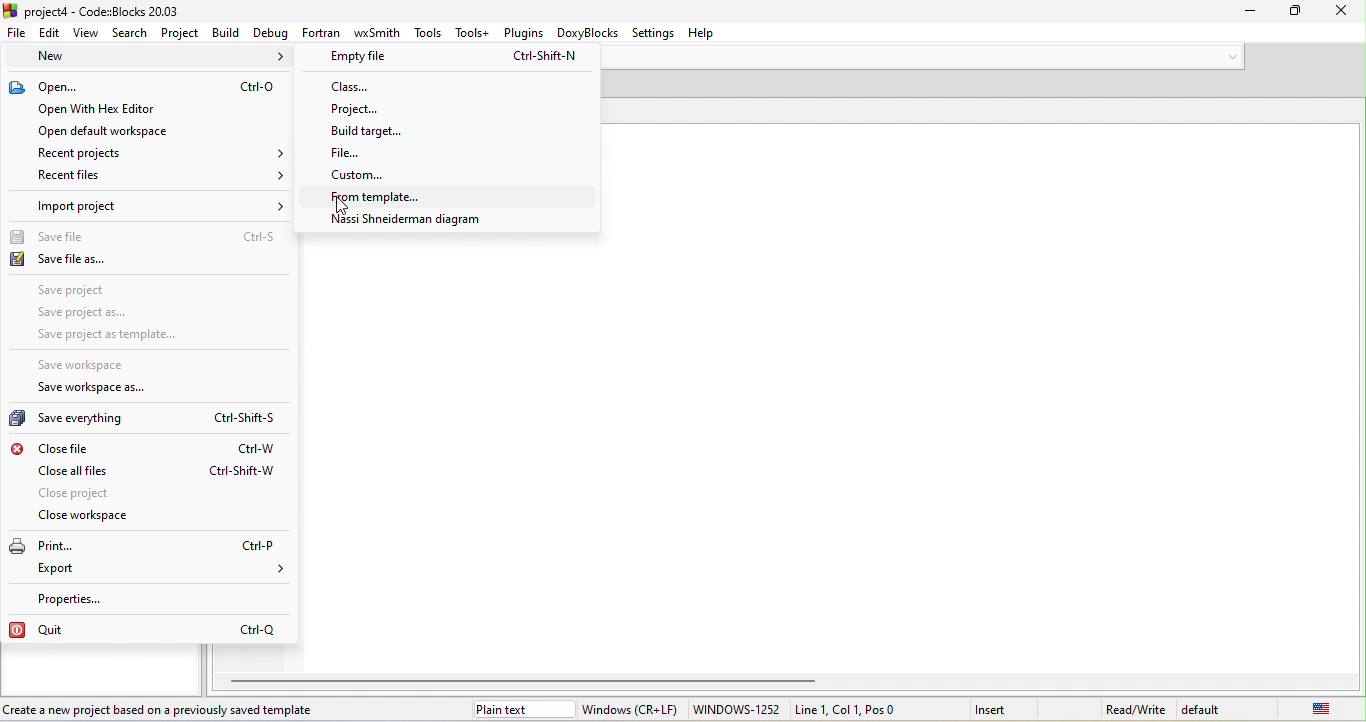 This screenshot has height=722, width=1366. Describe the element at coordinates (529, 680) in the screenshot. I see `horizontal scroll bar` at that location.